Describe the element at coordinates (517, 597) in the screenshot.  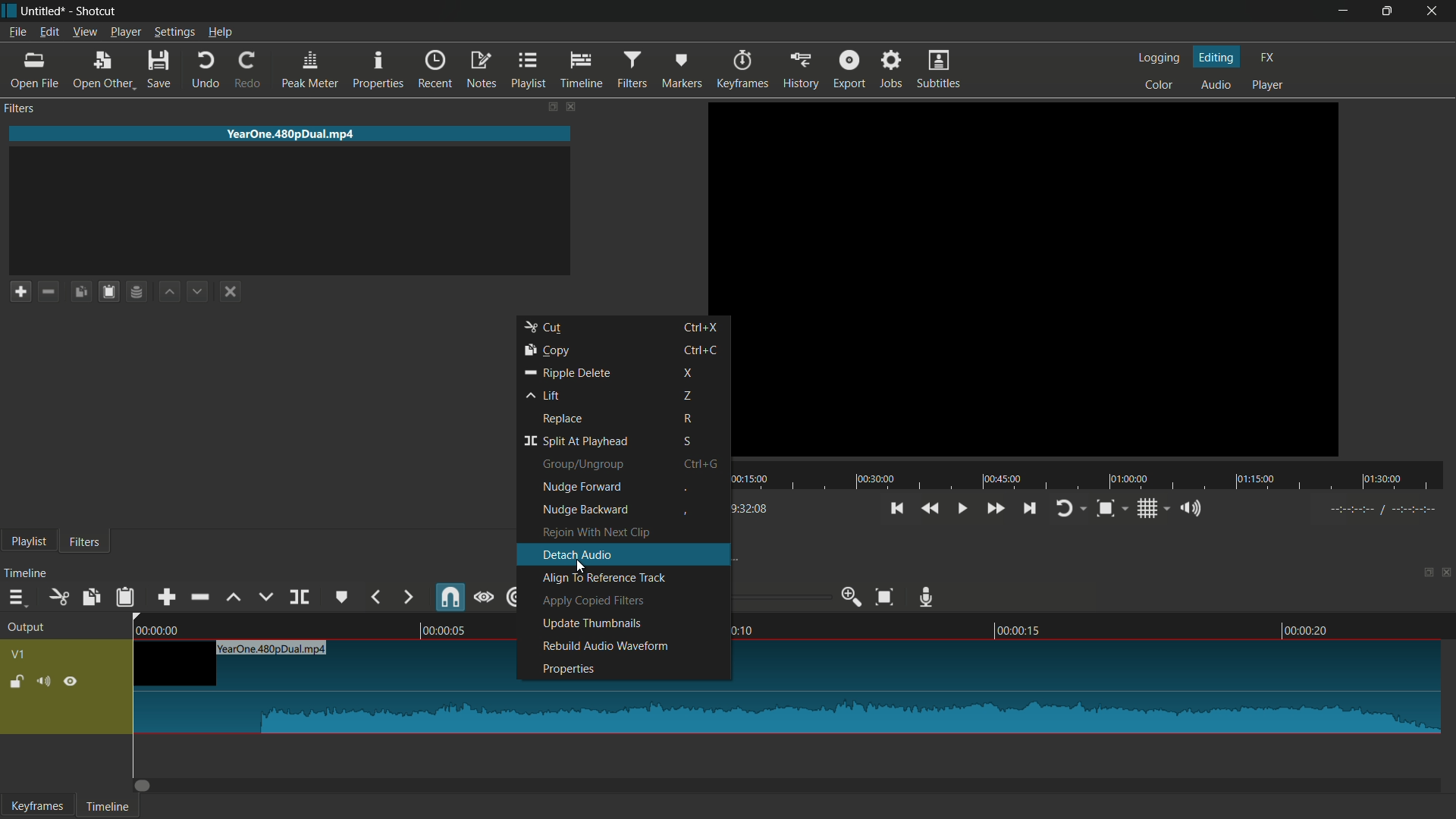
I see `ripple` at that location.